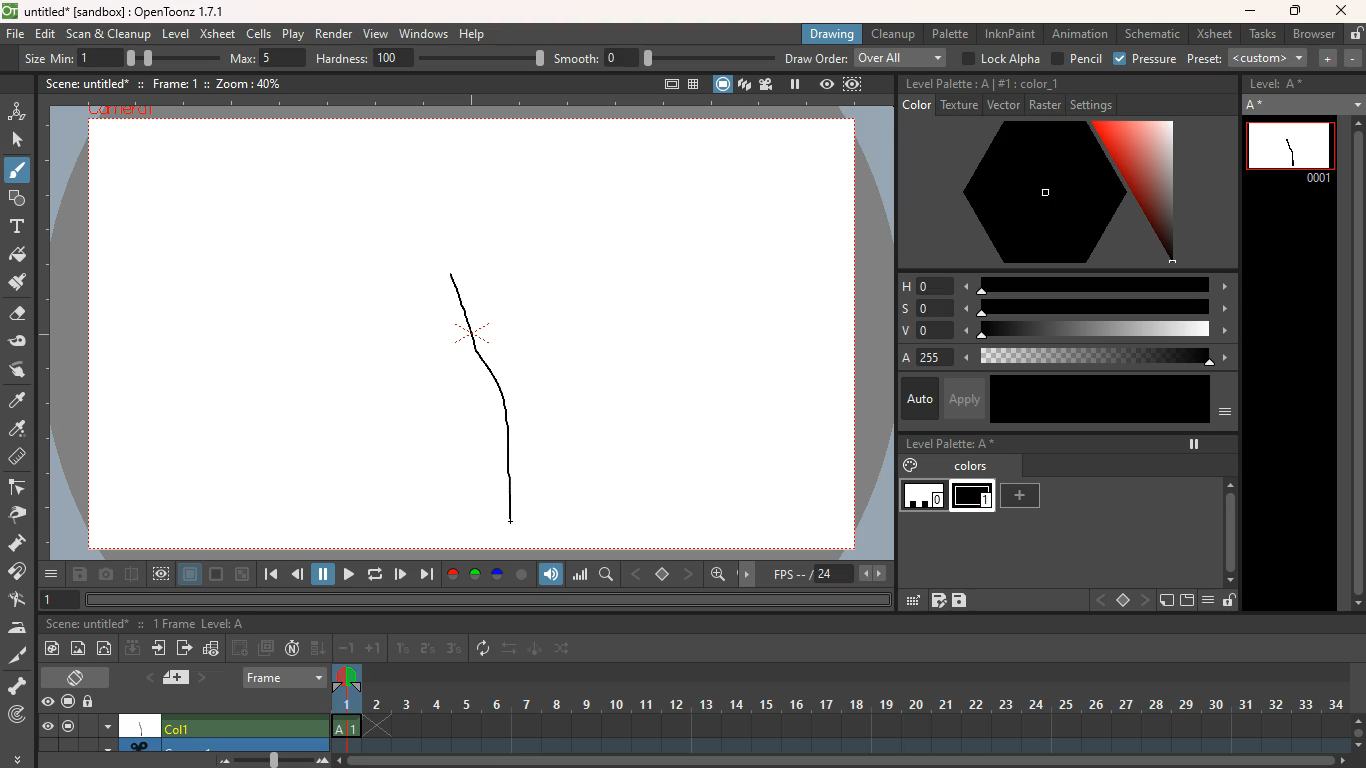  Describe the element at coordinates (1154, 34) in the screenshot. I see `schematic` at that location.